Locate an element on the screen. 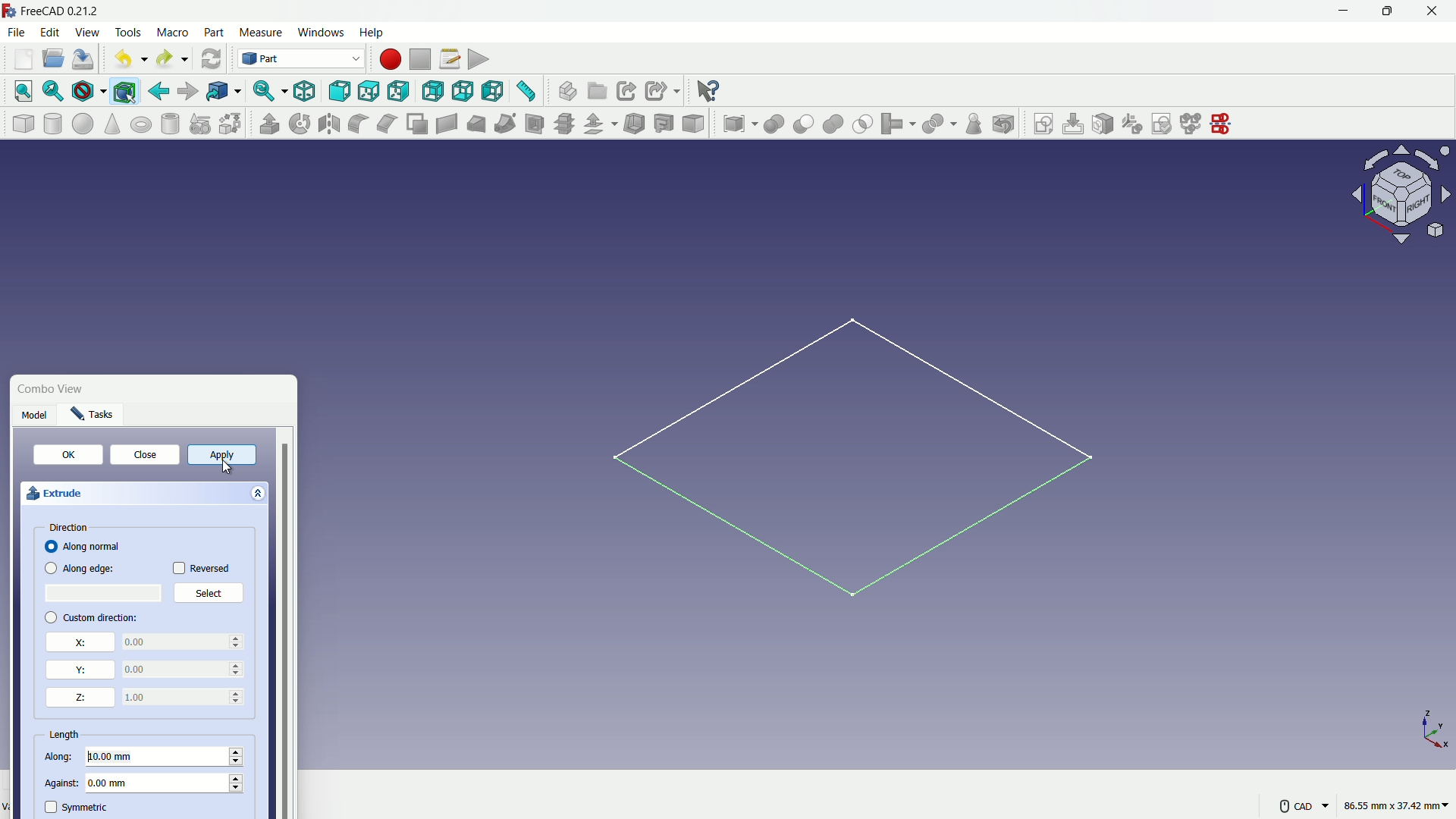  sync view is located at coordinates (268, 89).